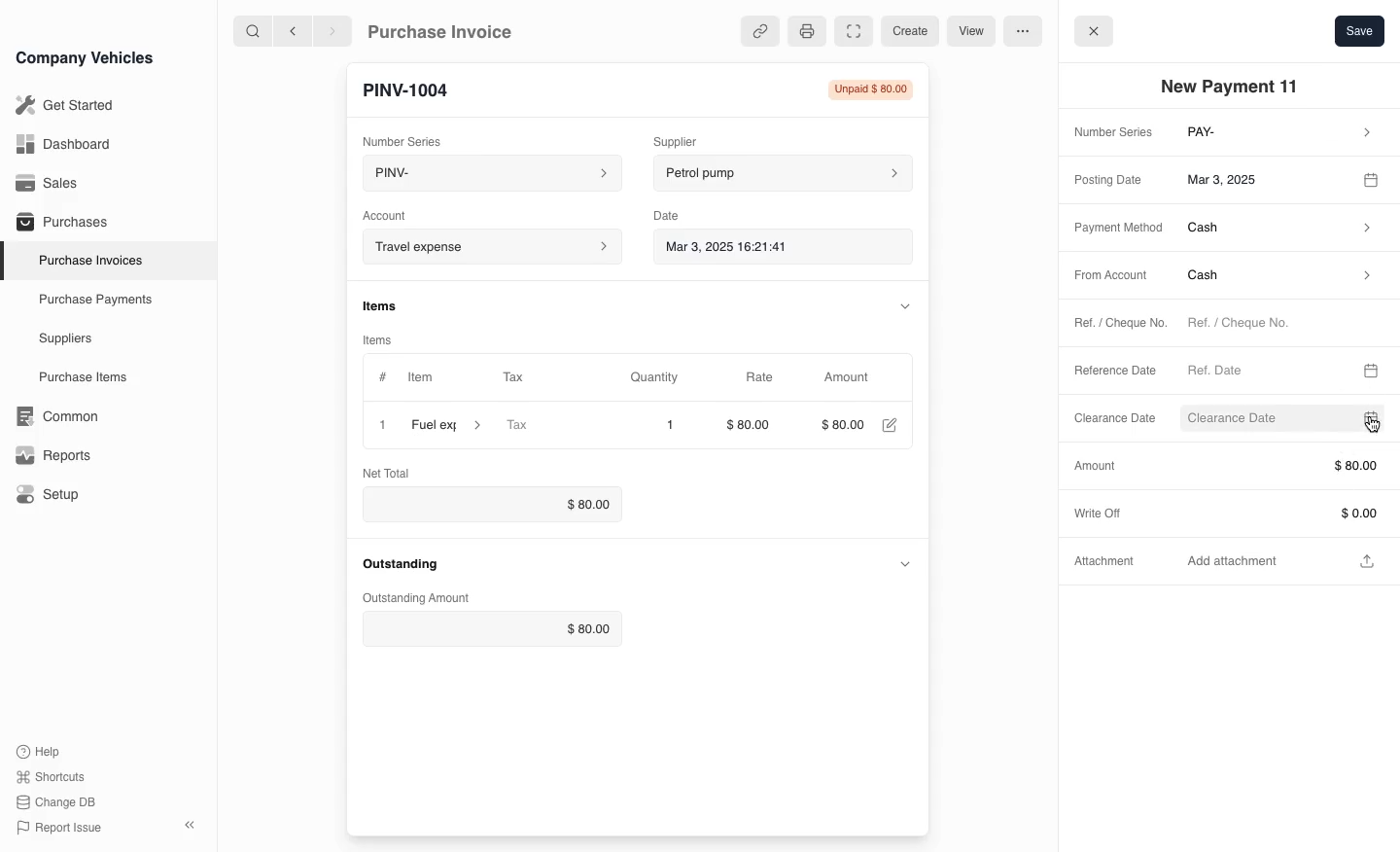 This screenshot has width=1400, height=852. What do you see at coordinates (1277, 325) in the screenshot?
I see `ref/cheque No.` at bounding box center [1277, 325].